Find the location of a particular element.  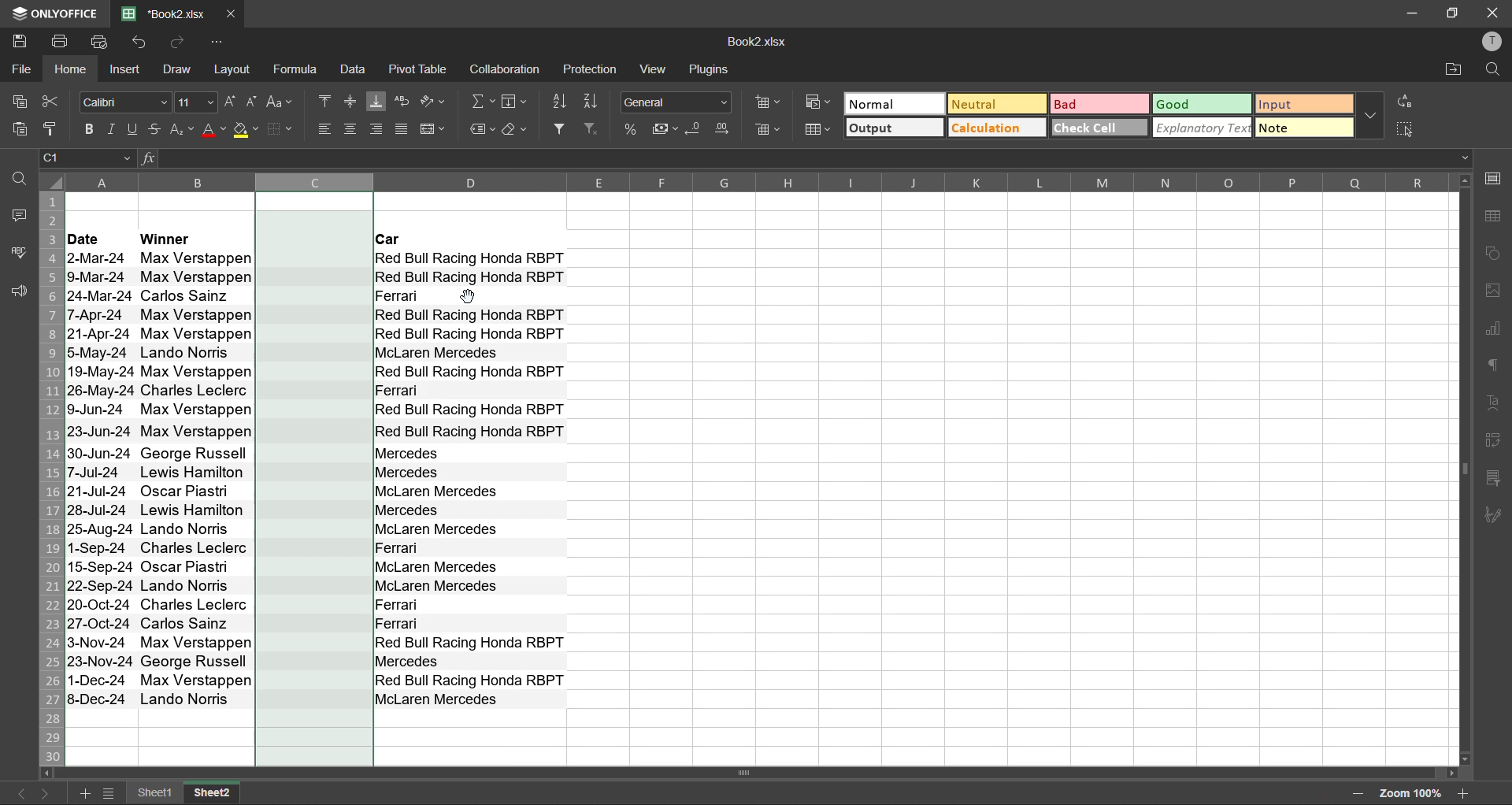

fill color is located at coordinates (249, 132).